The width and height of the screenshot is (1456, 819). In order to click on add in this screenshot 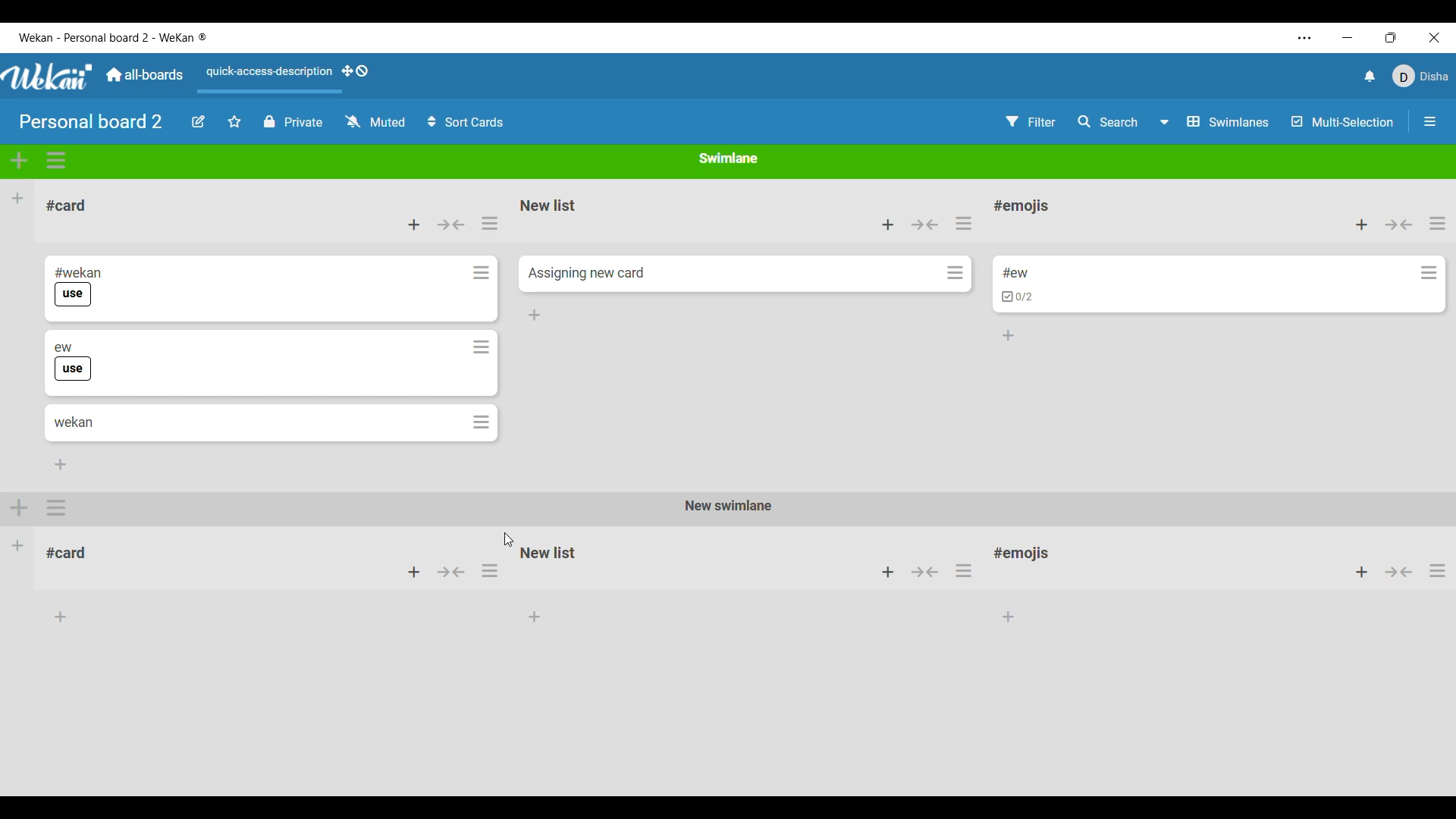, I will do `click(1357, 570)`.